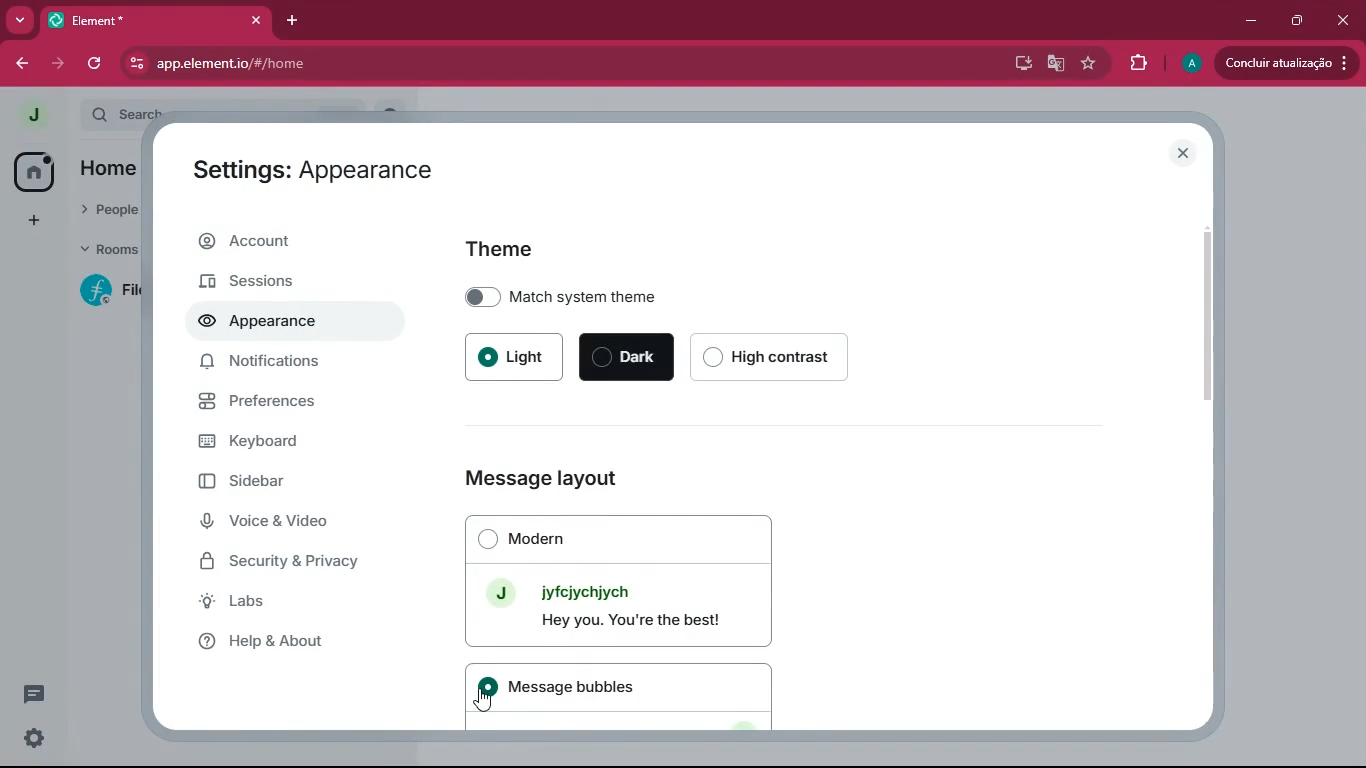 The width and height of the screenshot is (1366, 768). I want to click on Settings: Appearance, so click(310, 171).